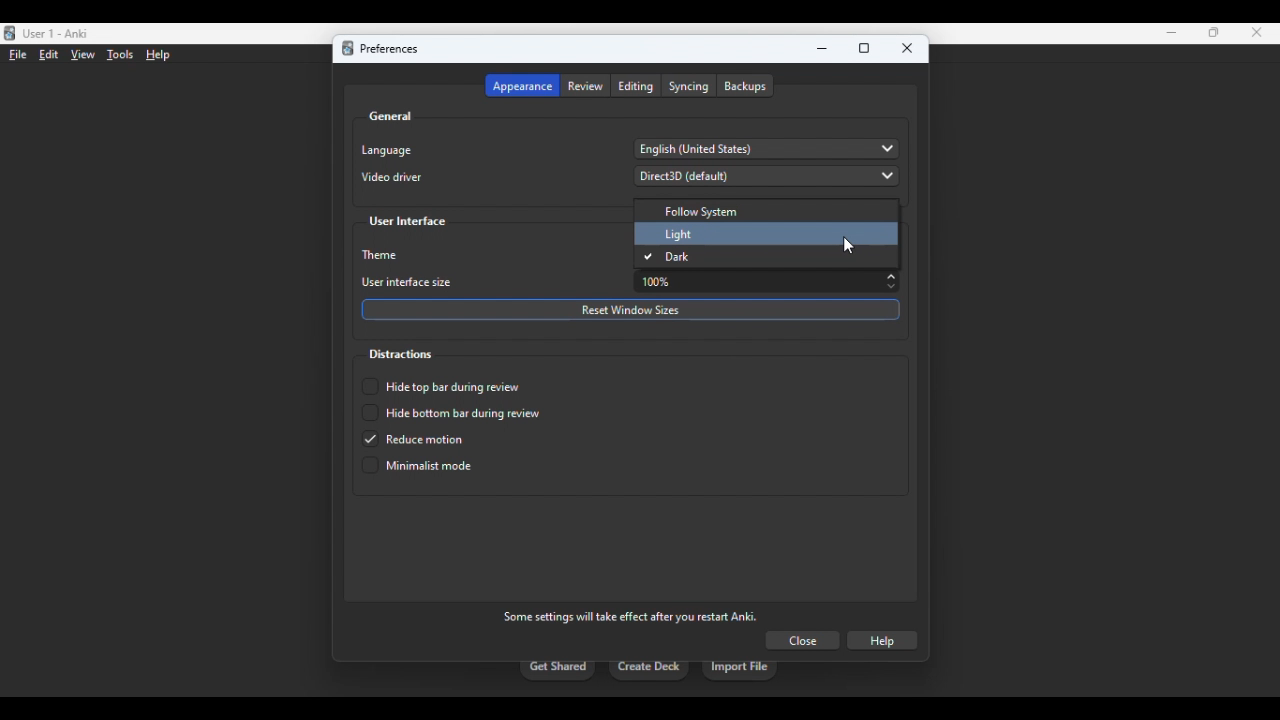 The width and height of the screenshot is (1280, 720). What do you see at coordinates (408, 222) in the screenshot?
I see `user interface` at bounding box center [408, 222].